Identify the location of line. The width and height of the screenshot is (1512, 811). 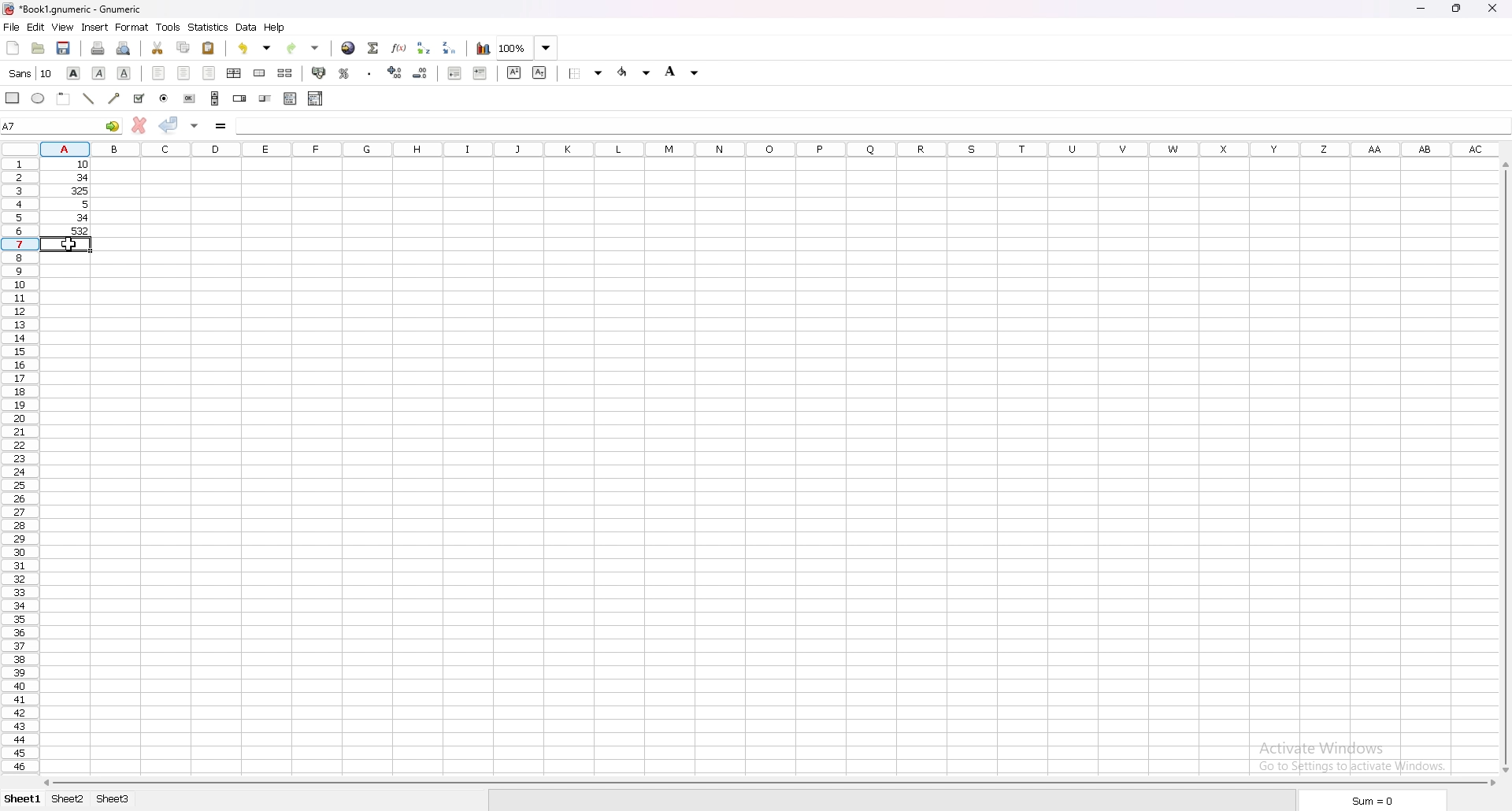
(87, 99).